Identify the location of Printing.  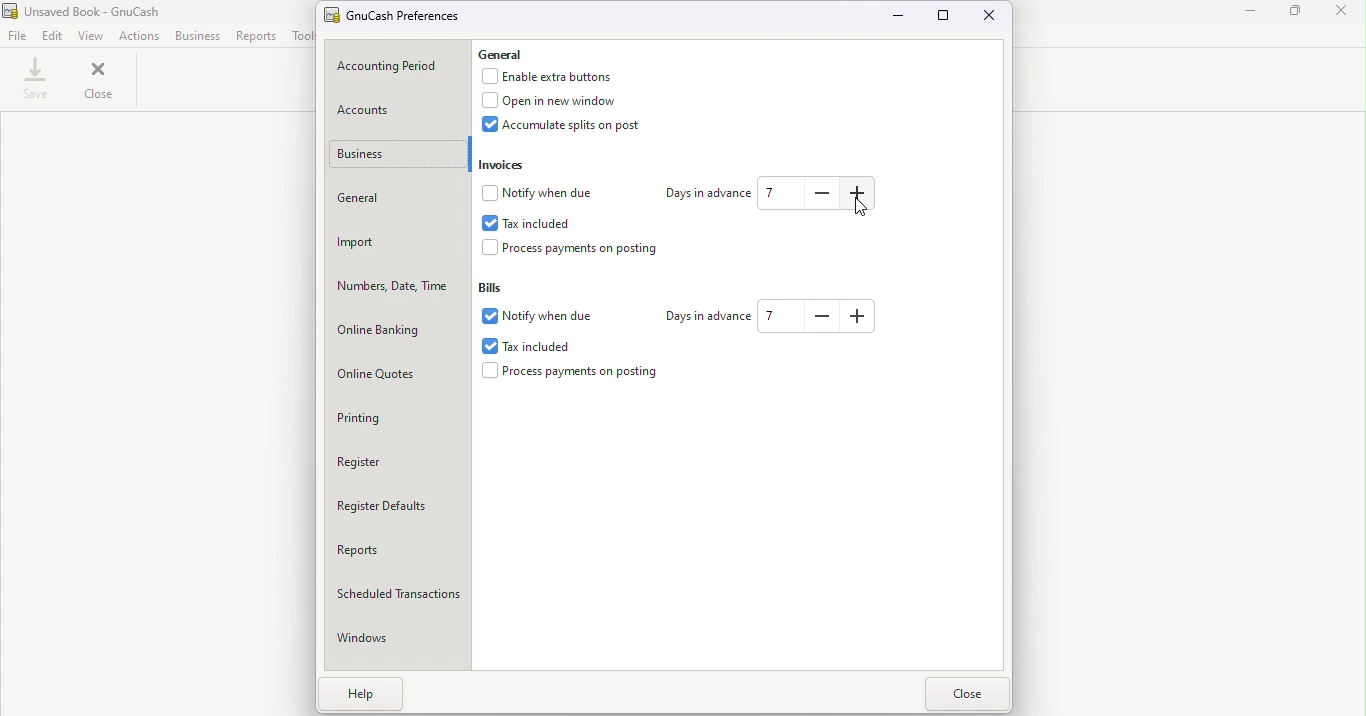
(401, 418).